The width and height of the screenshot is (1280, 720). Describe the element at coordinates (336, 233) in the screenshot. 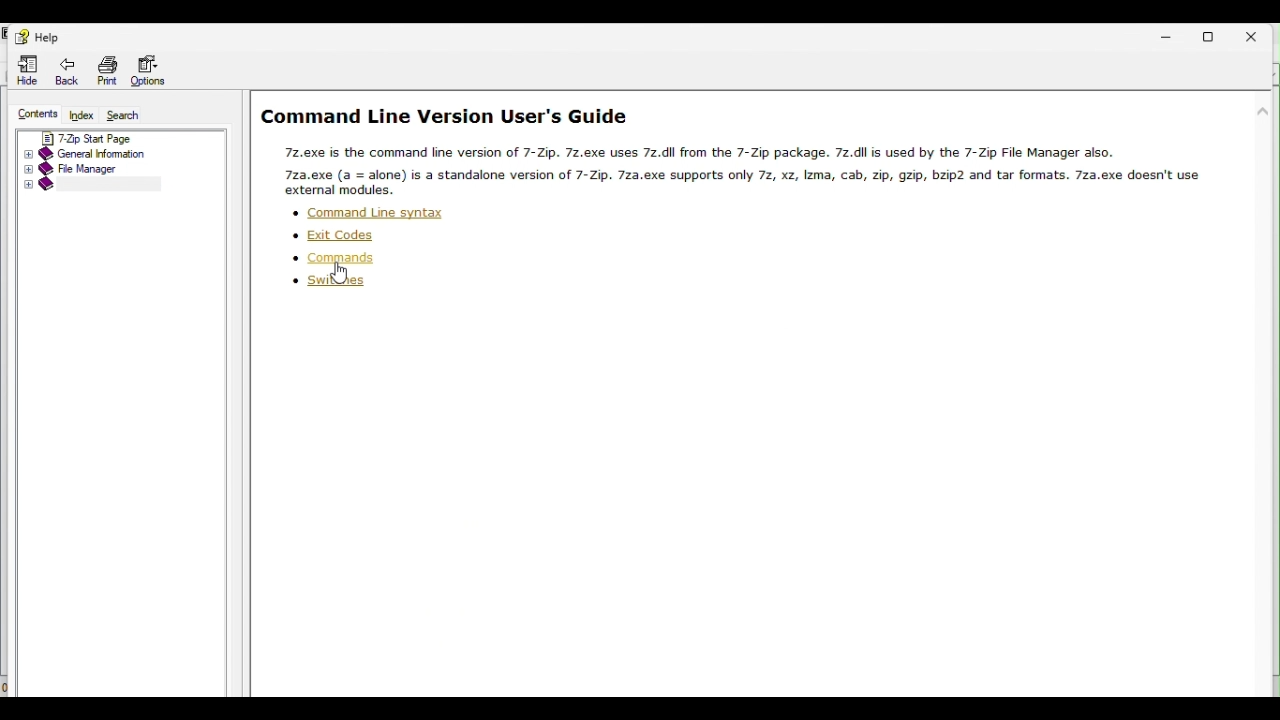

I see `Exit codes` at that location.